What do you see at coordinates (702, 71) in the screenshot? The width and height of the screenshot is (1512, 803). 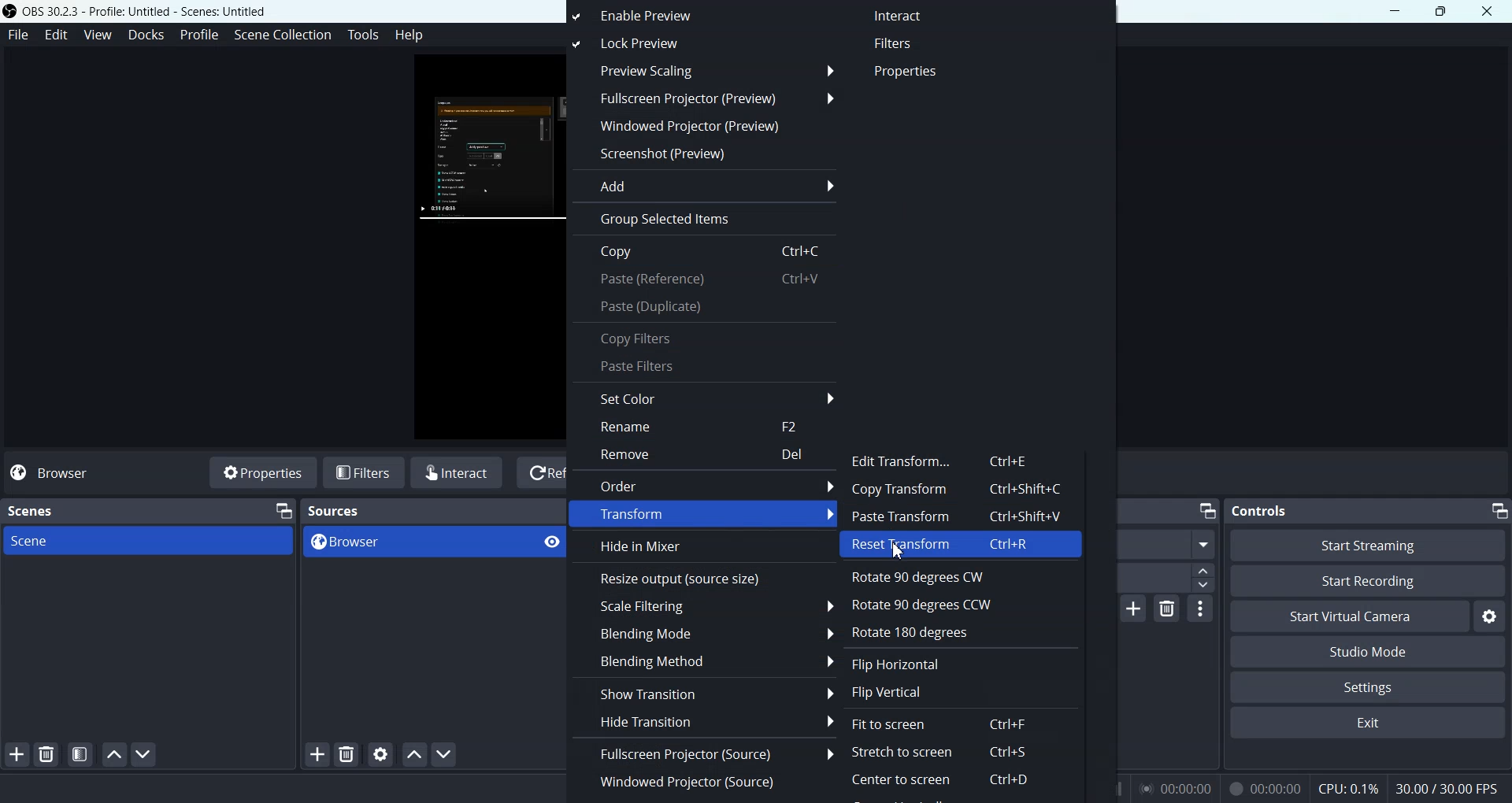 I see `Preview Scaling` at bounding box center [702, 71].